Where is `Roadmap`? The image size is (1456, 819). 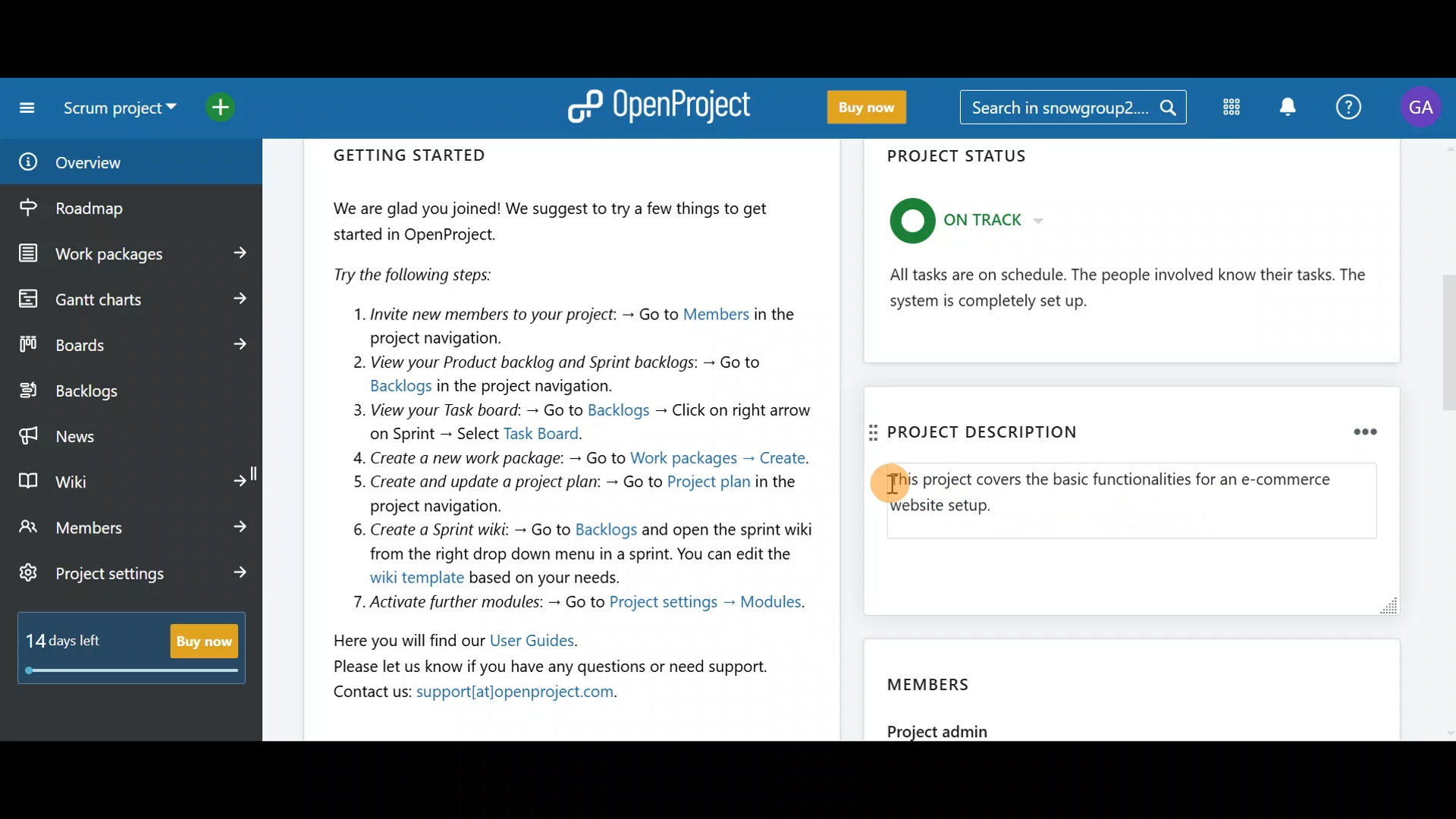
Roadmap is located at coordinates (105, 209).